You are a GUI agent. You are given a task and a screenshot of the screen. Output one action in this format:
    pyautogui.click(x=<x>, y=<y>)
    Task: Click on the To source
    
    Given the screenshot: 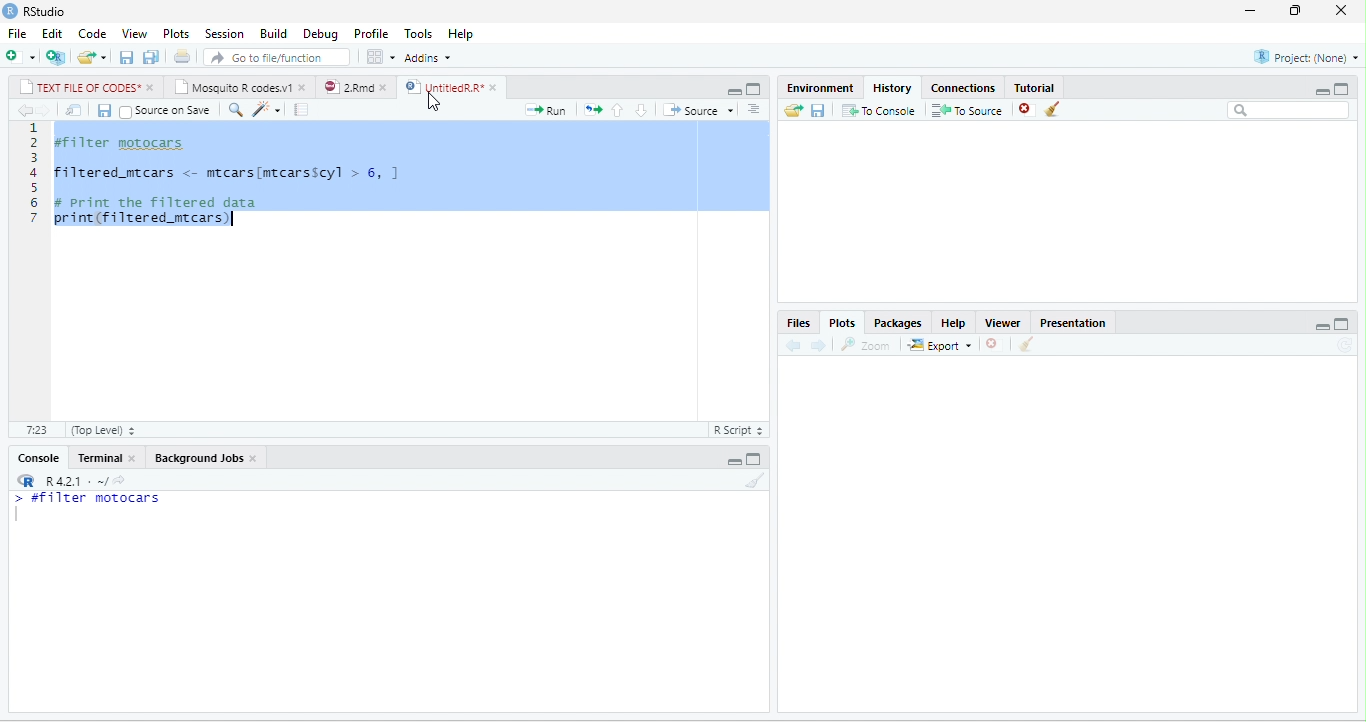 What is the action you would take?
    pyautogui.click(x=965, y=110)
    